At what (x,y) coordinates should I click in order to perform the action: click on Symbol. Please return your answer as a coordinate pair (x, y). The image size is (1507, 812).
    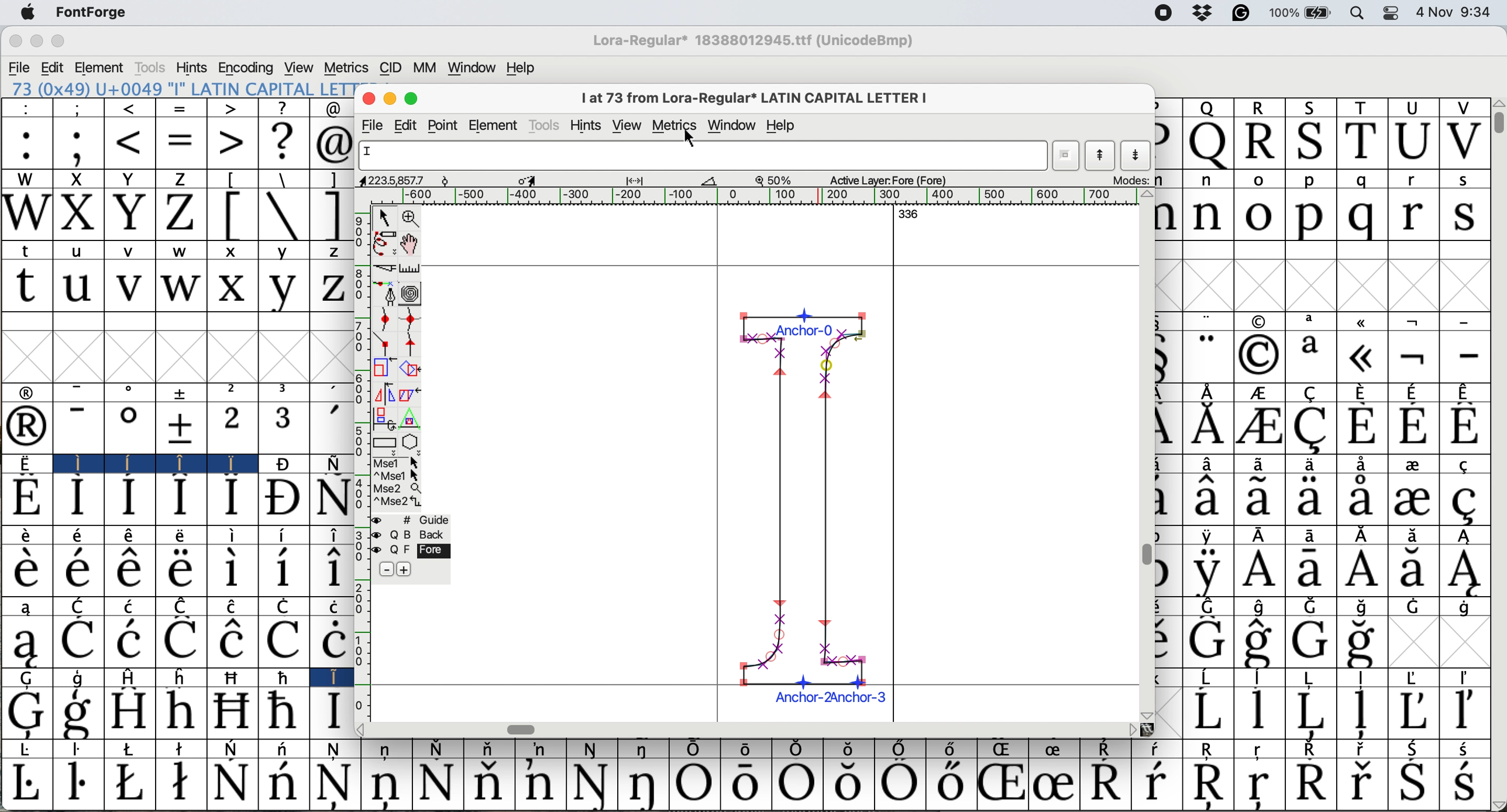
    Looking at the image, I should click on (1414, 356).